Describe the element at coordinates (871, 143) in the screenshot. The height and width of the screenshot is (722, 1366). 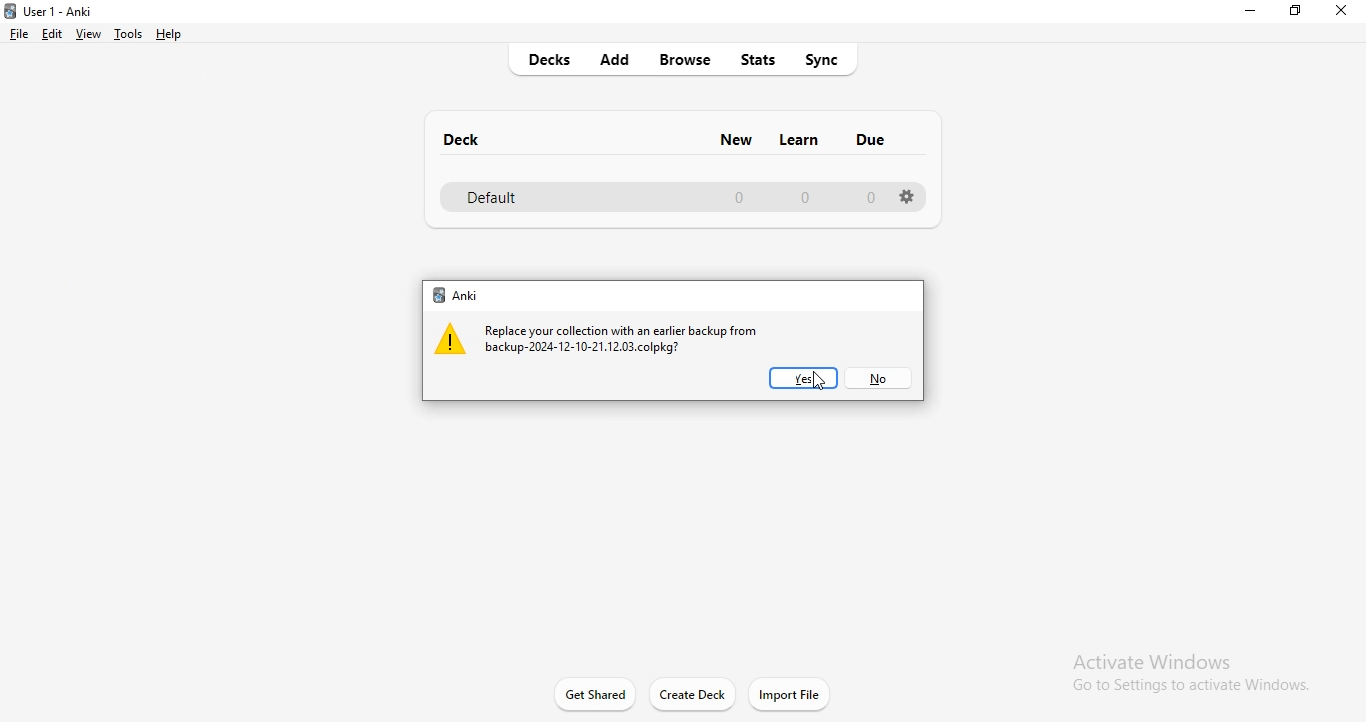
I see `due` at that location.